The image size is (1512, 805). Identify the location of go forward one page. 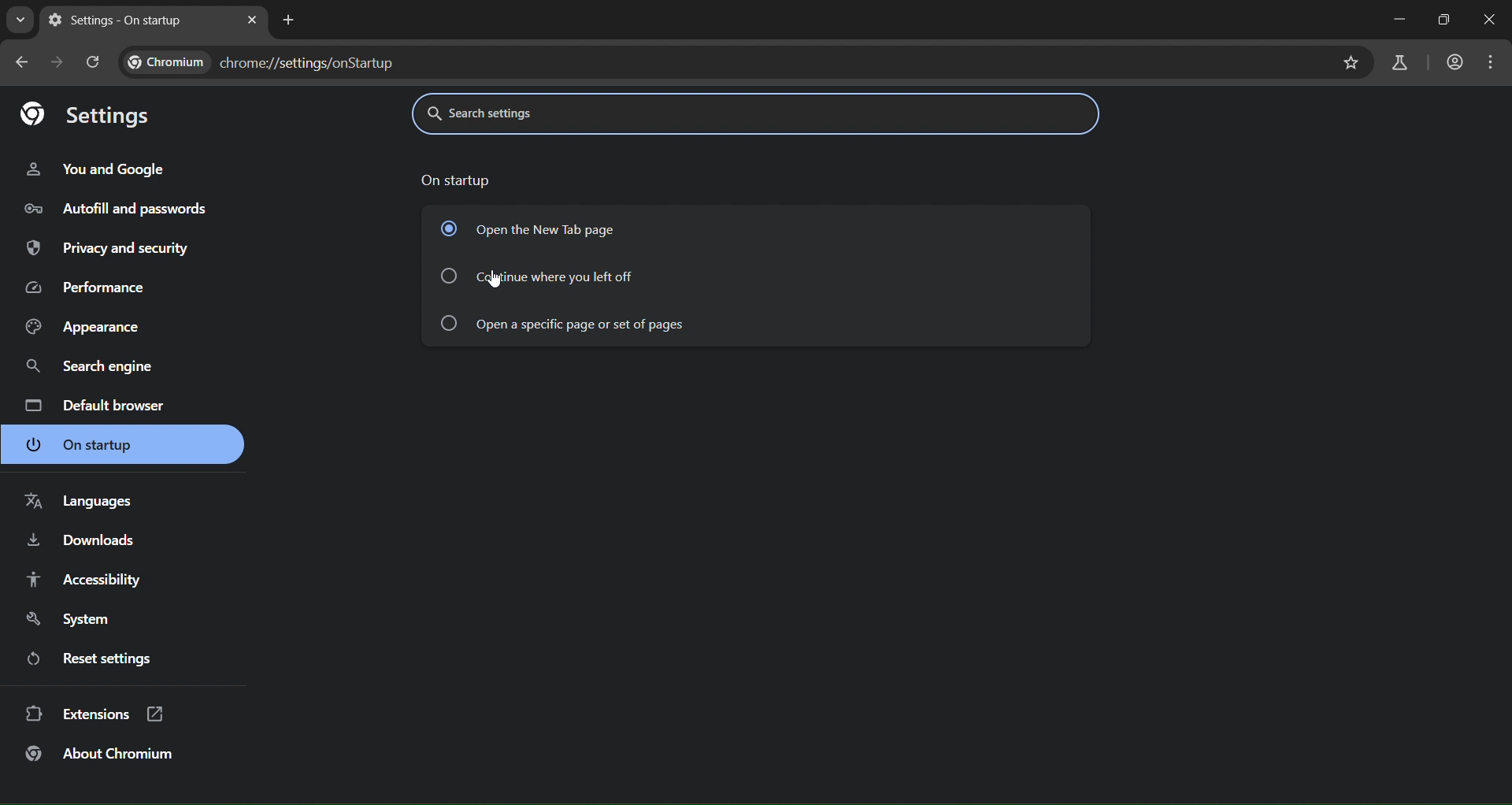
(57, 63).